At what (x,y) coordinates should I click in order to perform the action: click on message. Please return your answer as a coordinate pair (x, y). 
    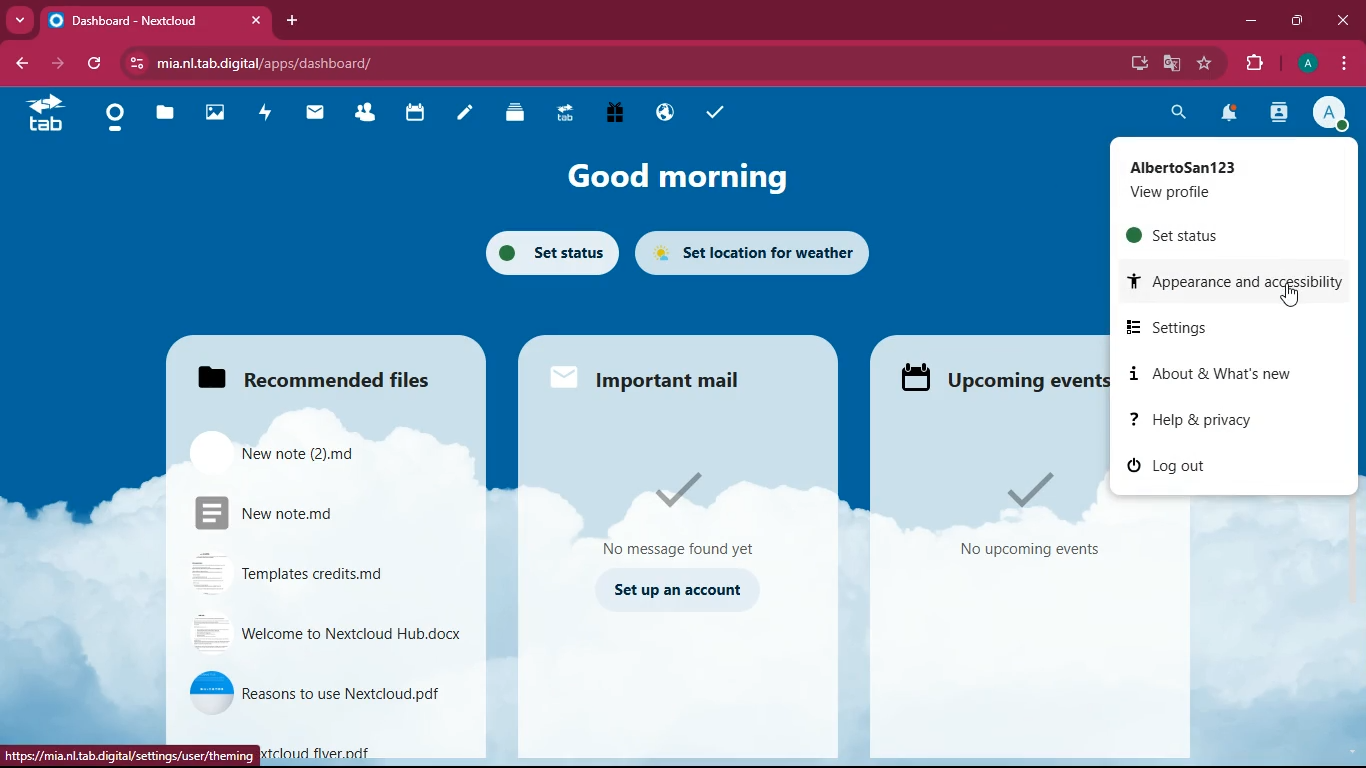
    Looking at the image, I should click on (683, 509).